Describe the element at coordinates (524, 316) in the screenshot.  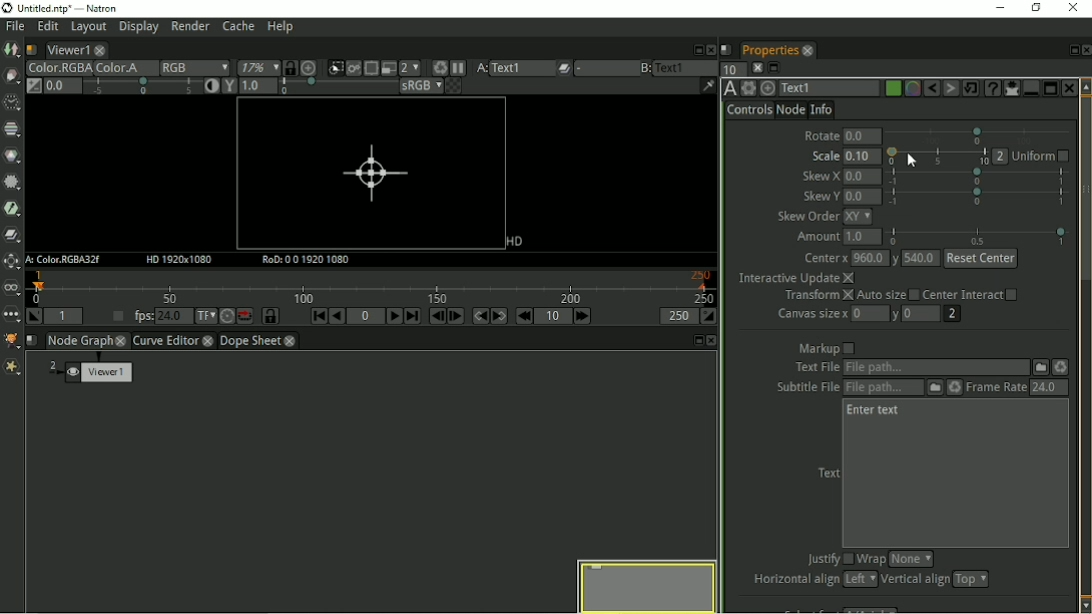
I see `Previous increment` at that location.